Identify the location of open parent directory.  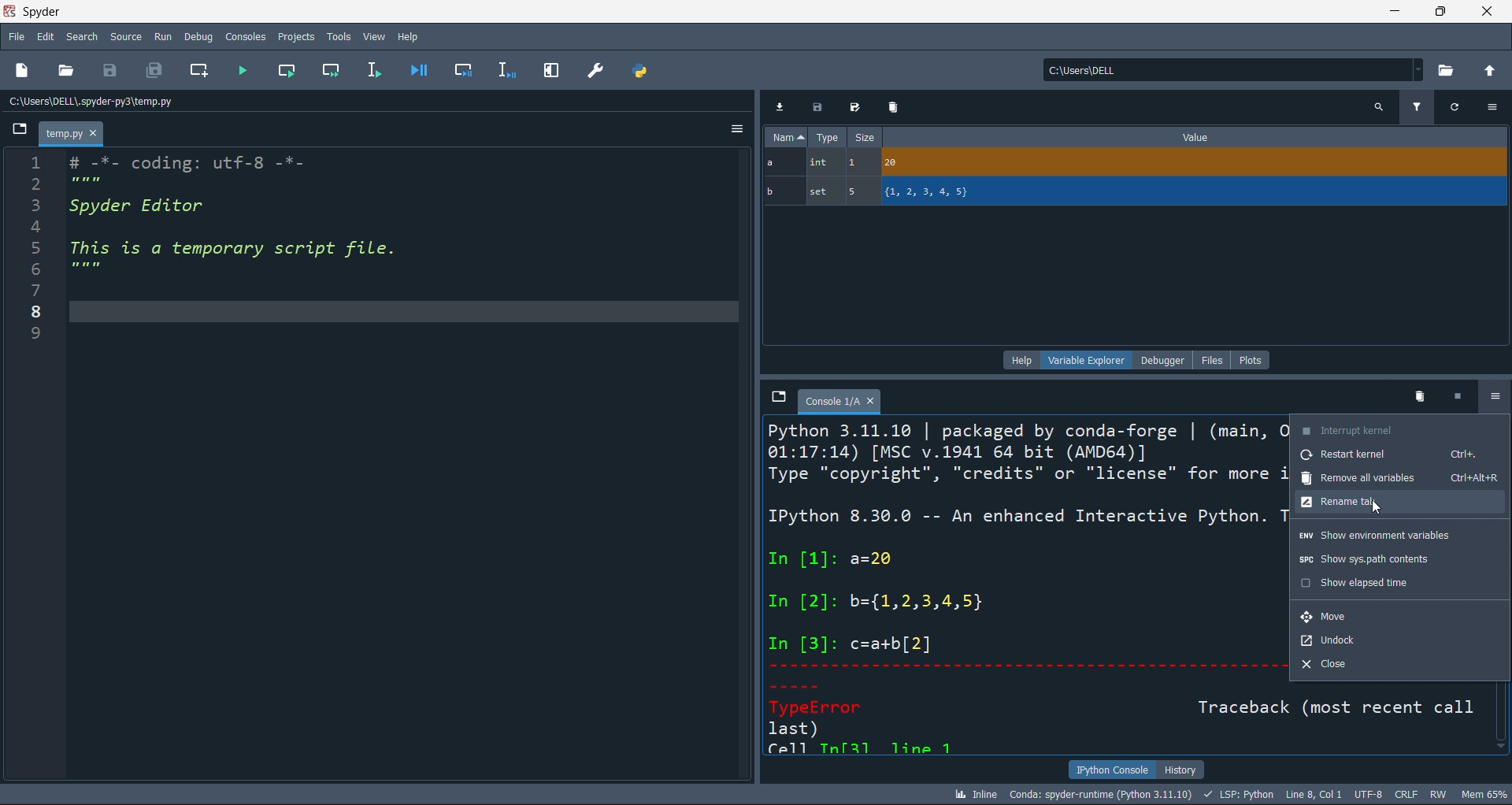
(1492, 69).